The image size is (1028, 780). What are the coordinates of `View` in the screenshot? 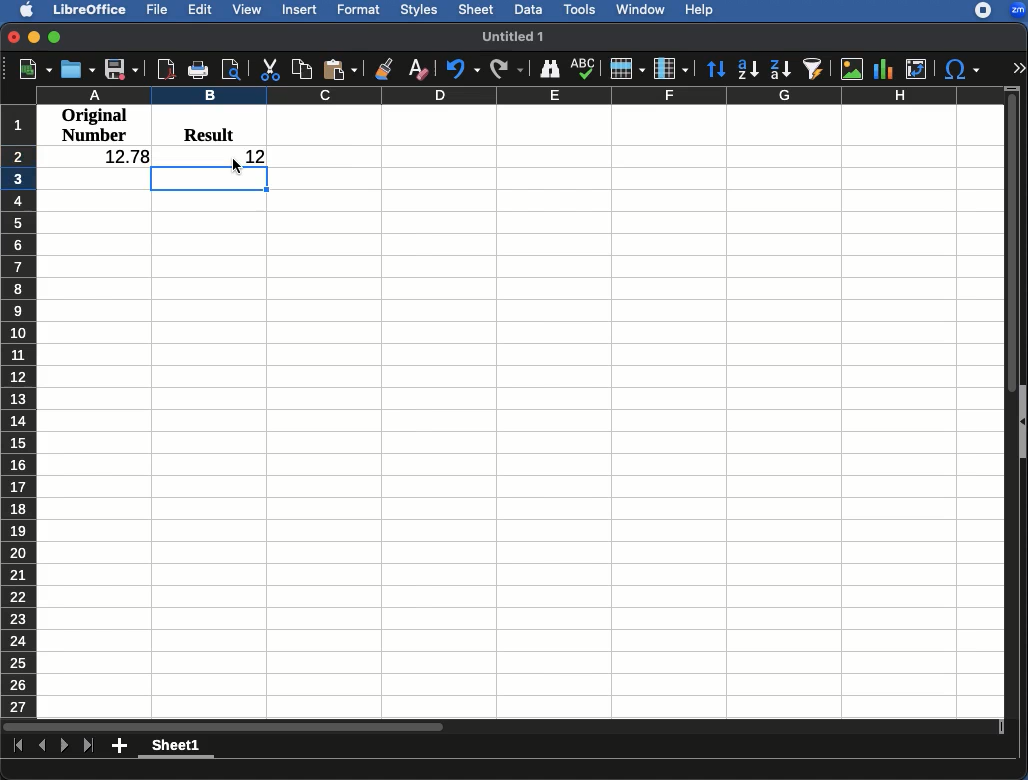 It's located at (249, 10).